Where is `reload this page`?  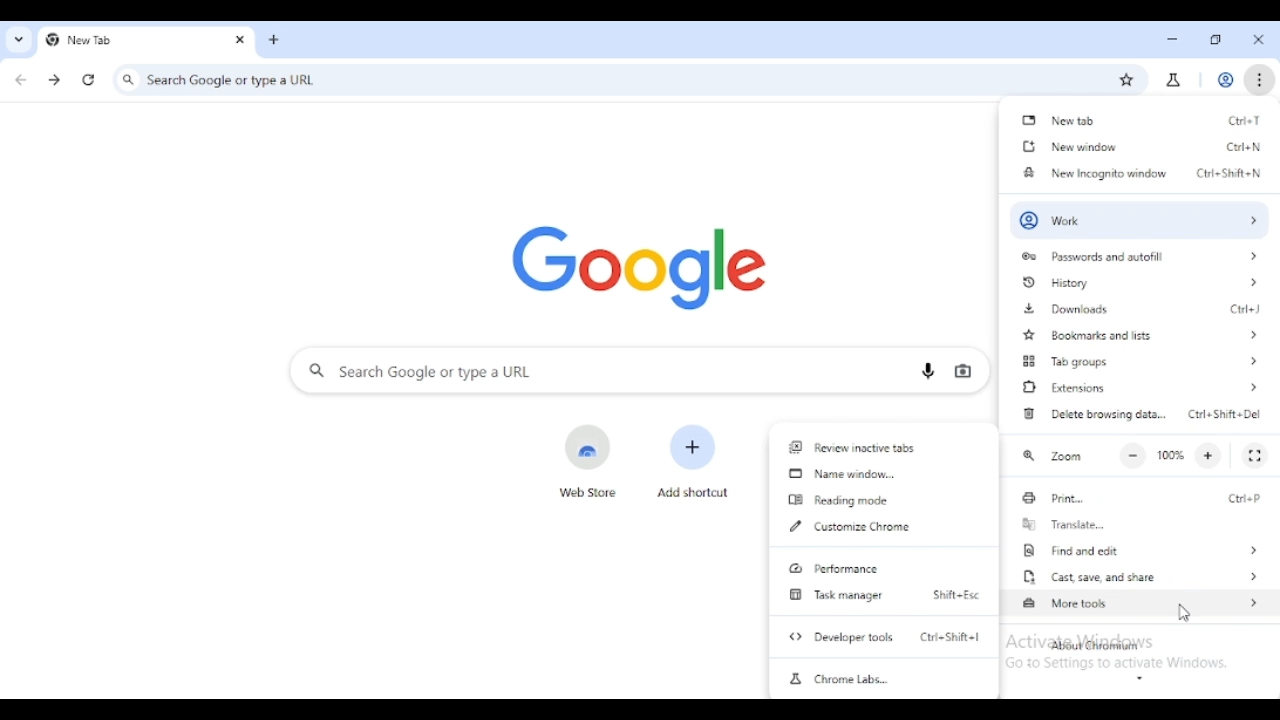
reload this page is located at coordinates (88, 80).